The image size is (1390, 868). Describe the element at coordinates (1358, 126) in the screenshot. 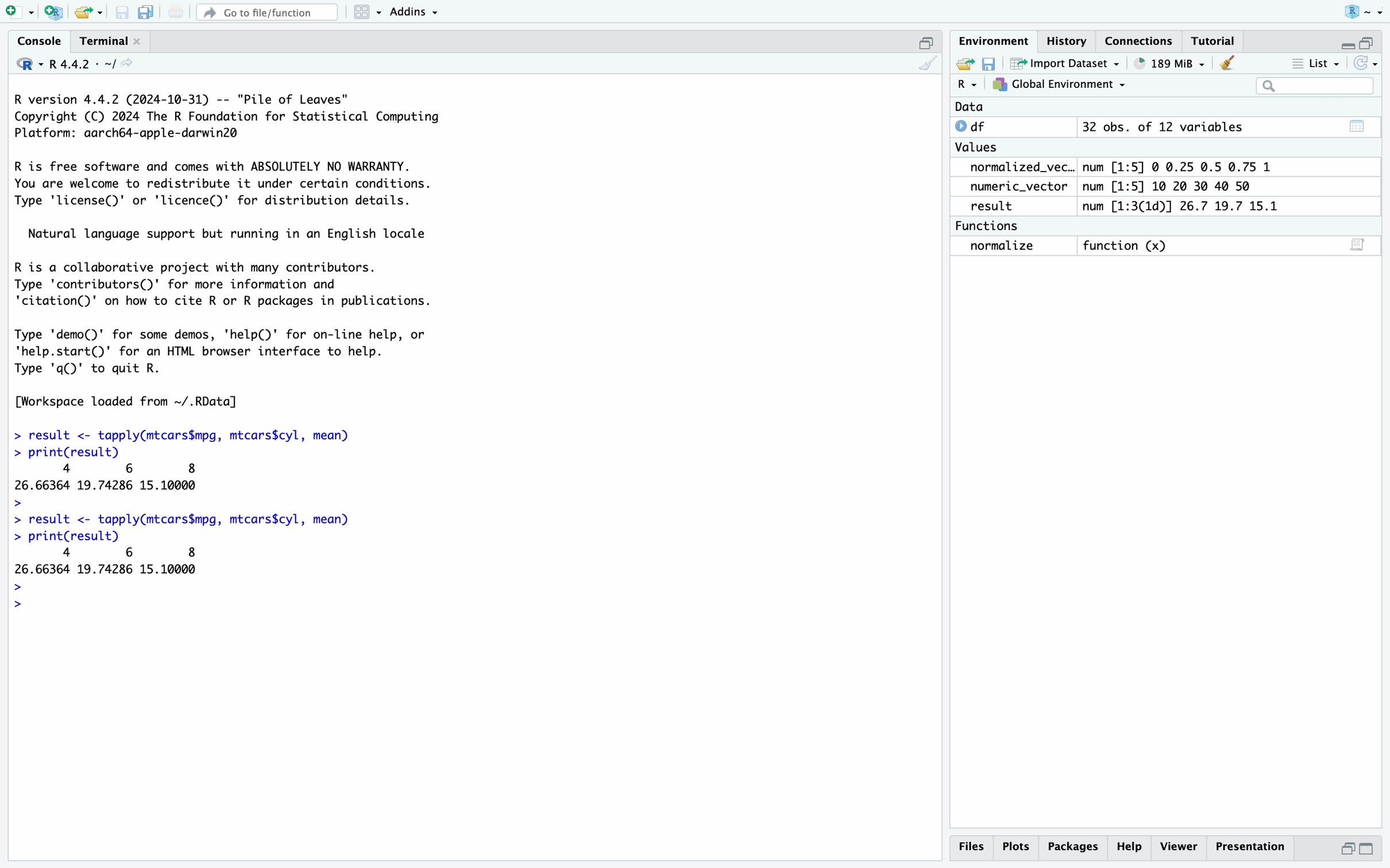

I see `Calender` at that location.